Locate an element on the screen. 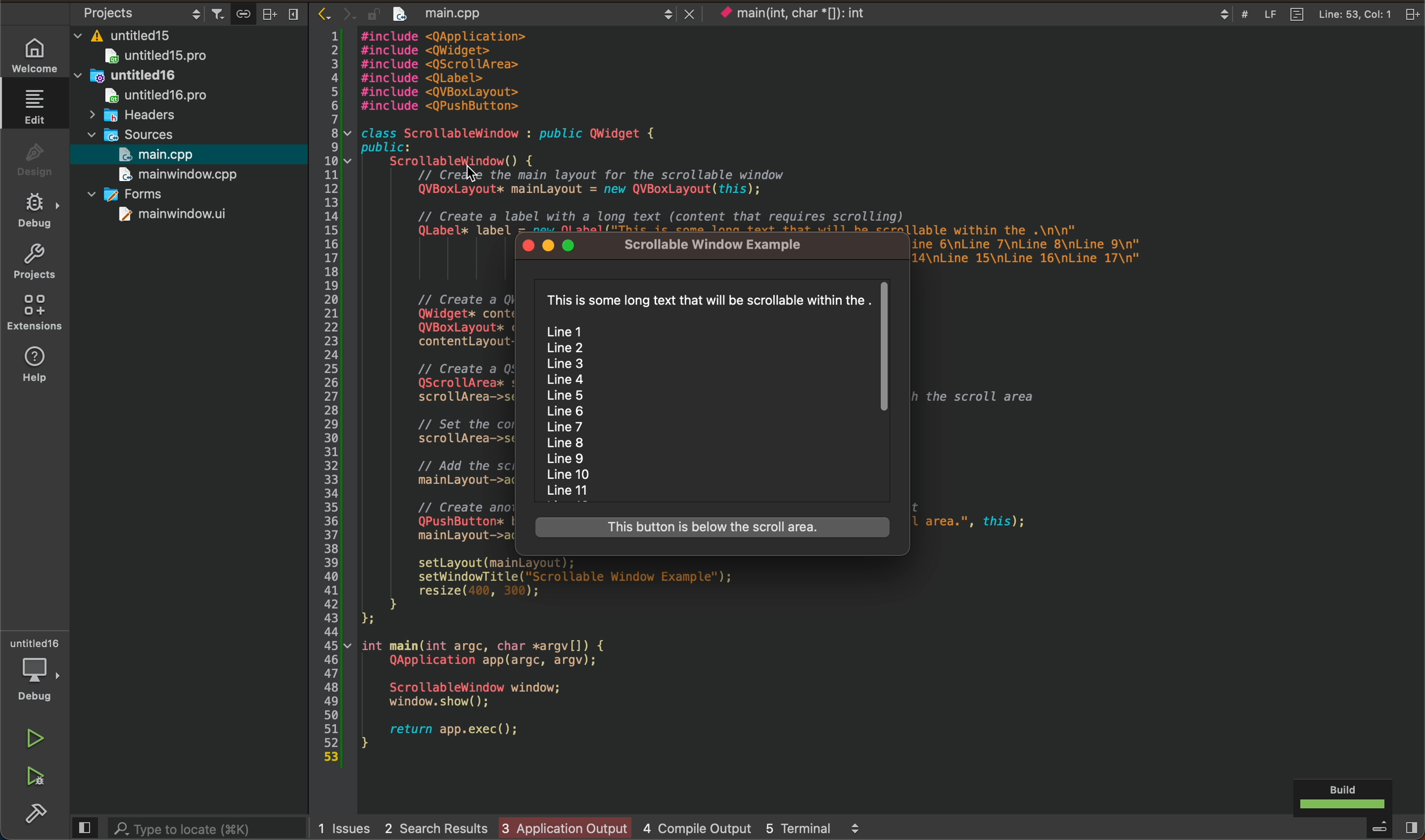 This screenshot has width=1425, height=840. debugger is located at coordinates (33, 670).